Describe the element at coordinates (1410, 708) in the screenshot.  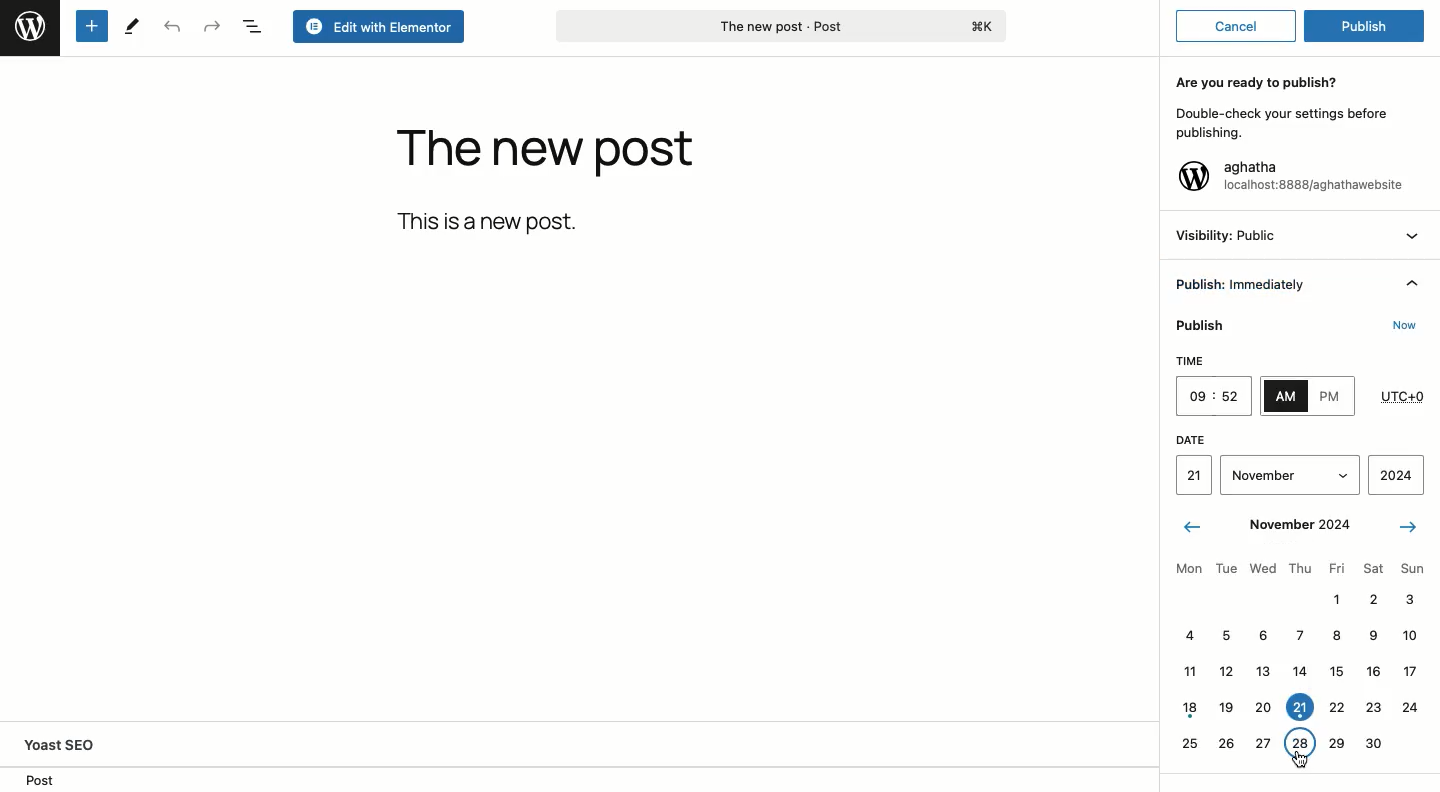
I see `24` at that location.